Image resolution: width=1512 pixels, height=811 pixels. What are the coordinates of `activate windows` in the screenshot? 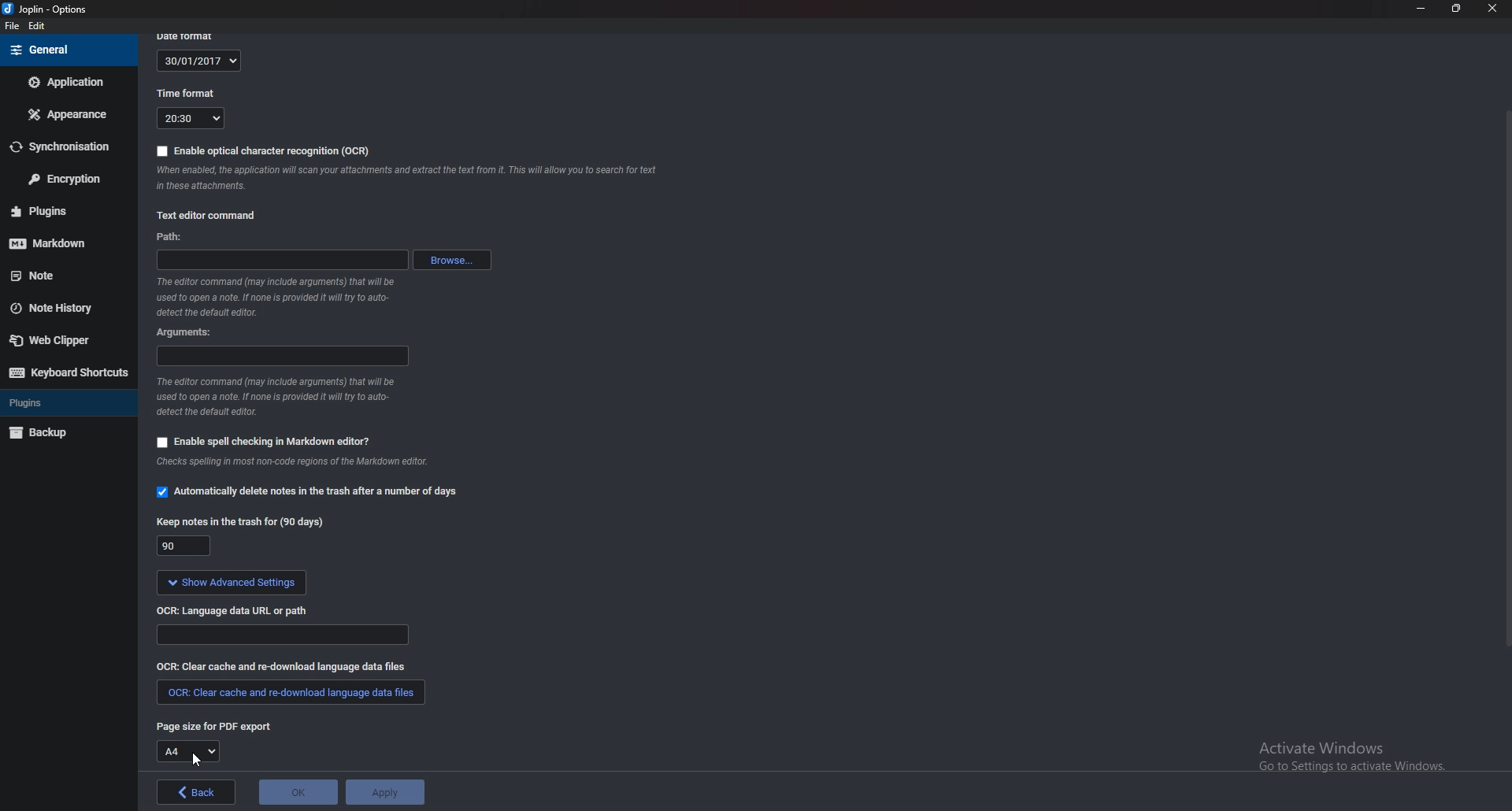 It's located at (1353, 757).